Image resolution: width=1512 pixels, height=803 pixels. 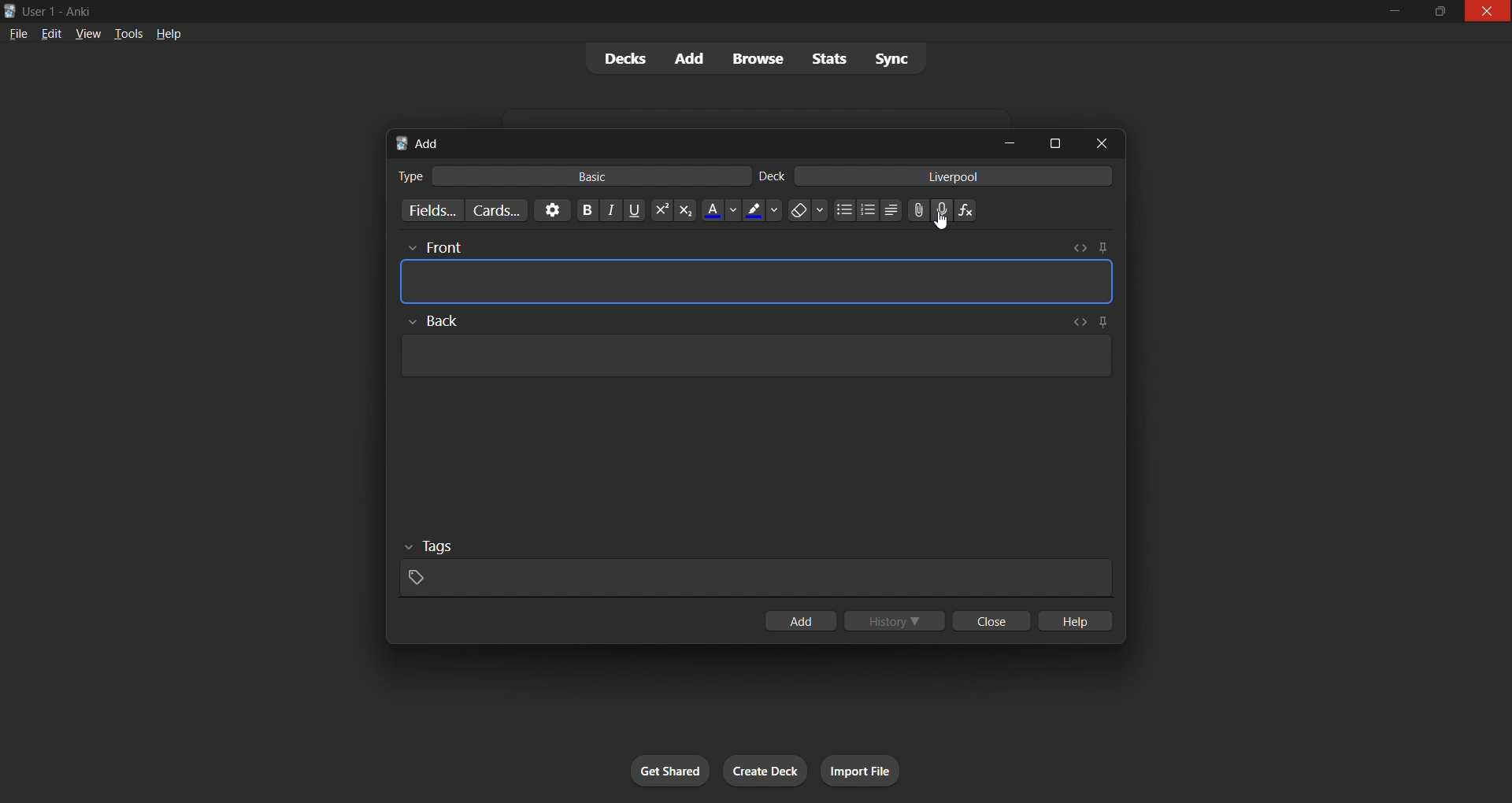 What do you see at coordinates (913, 208) in the screenshot?
I see `insert file` at bounding box center [913, 208].